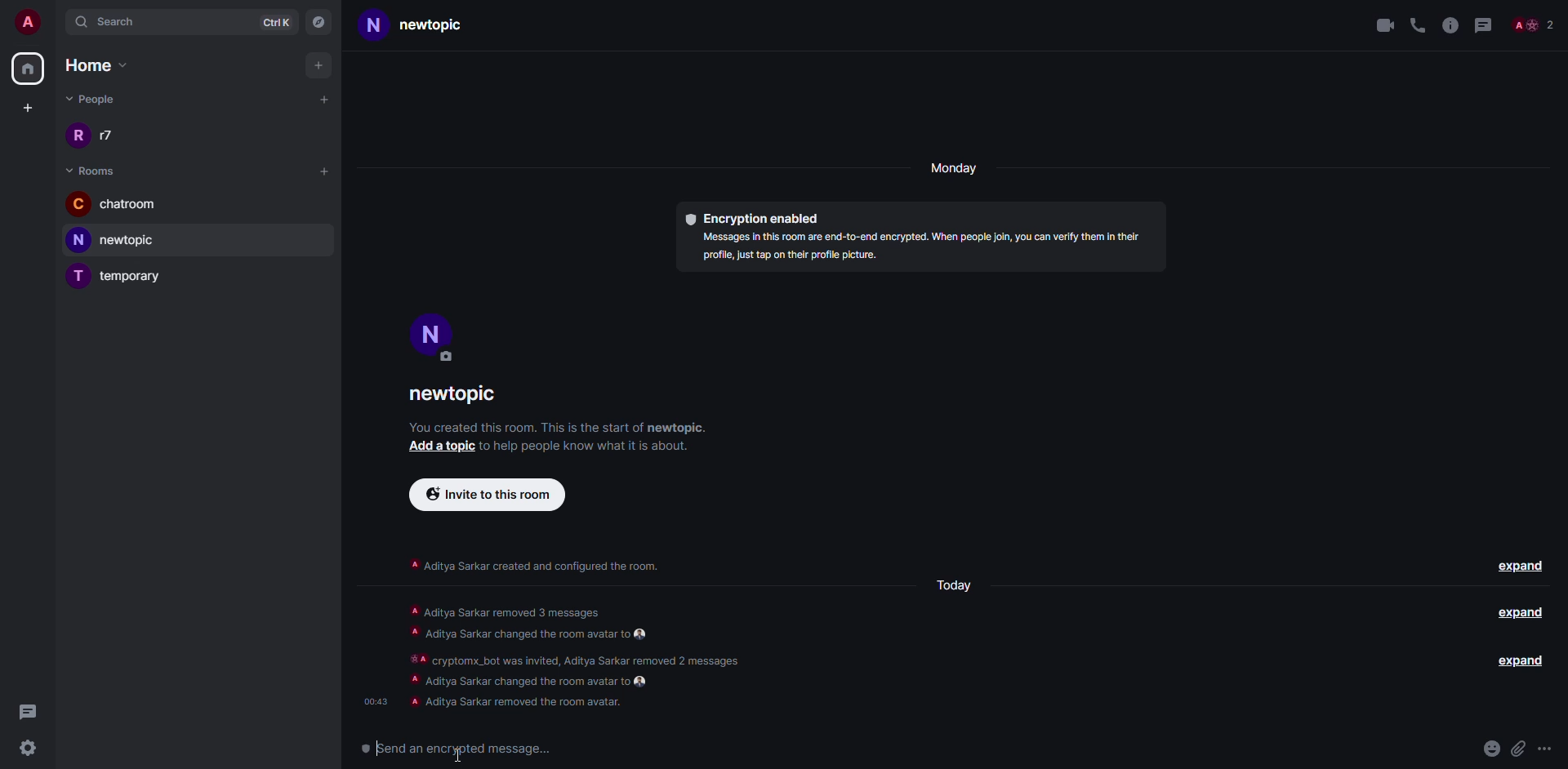 This screenshot has height=769, width=1568. I want to click on Messages in this room are end-to-end encrypted. When people join, you can verify them In theirprofile, just tap on their profile picture., so click(913, 250).